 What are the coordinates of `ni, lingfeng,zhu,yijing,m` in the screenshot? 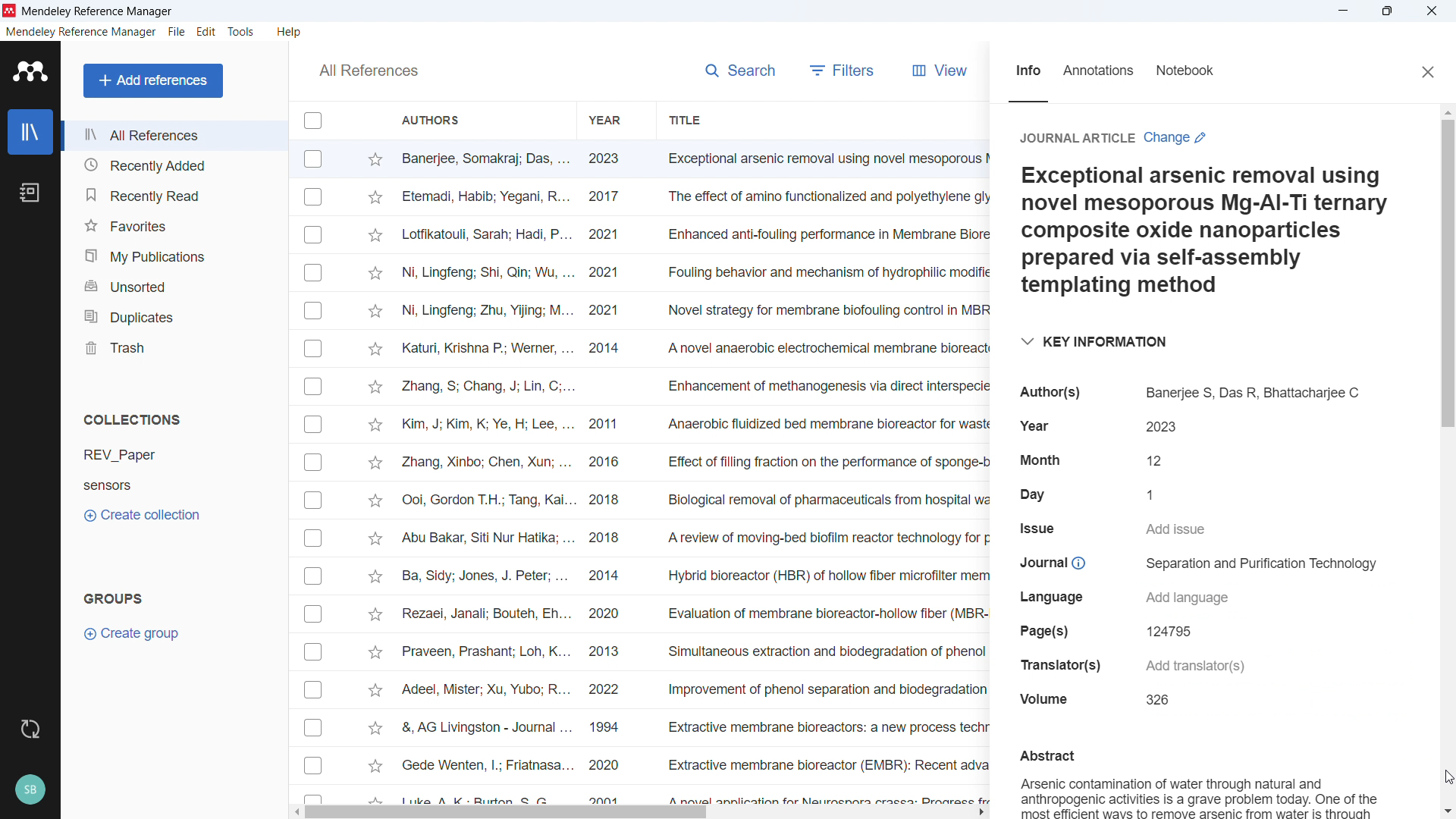 It's located at (487, 312).